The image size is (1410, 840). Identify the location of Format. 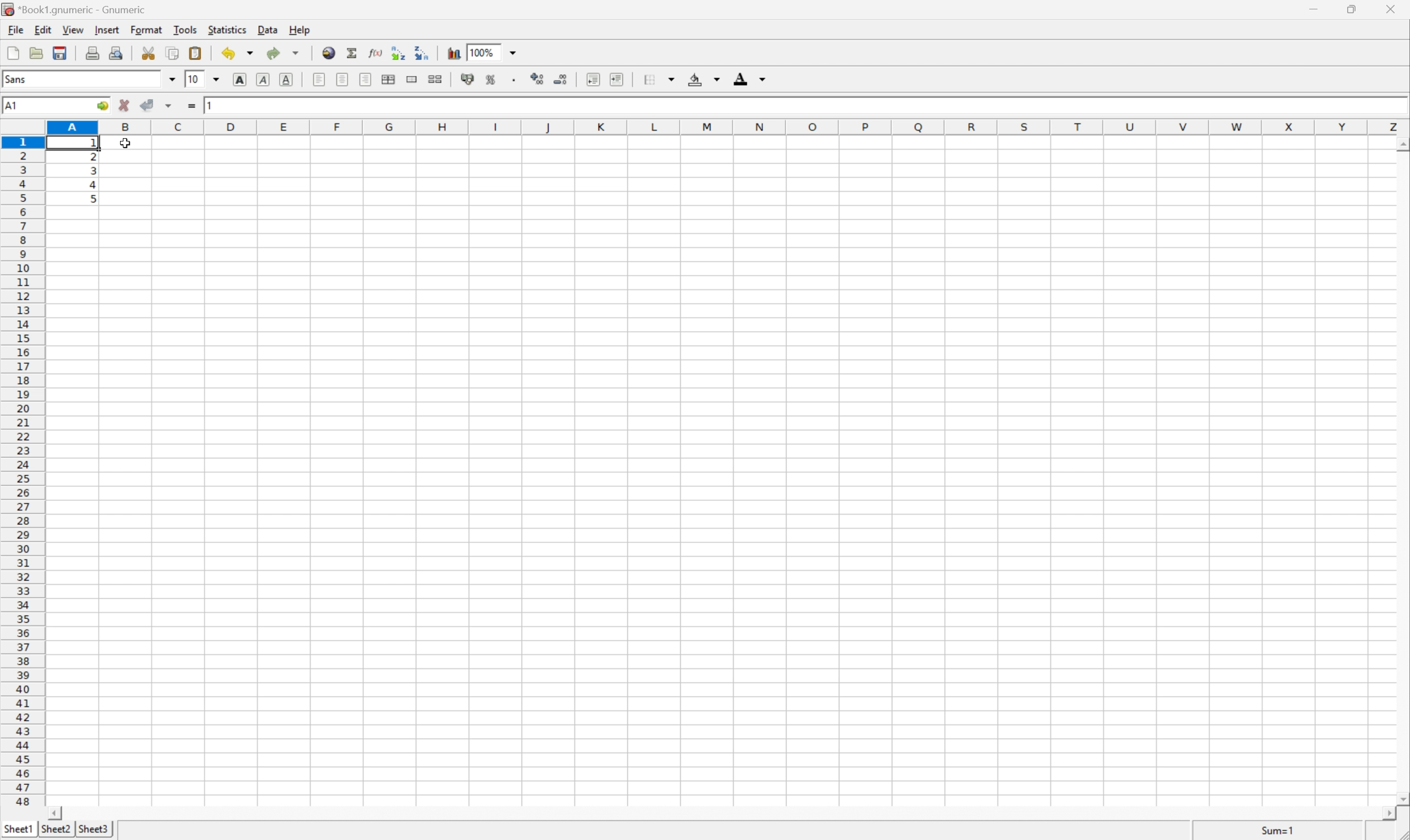
(148, 30).